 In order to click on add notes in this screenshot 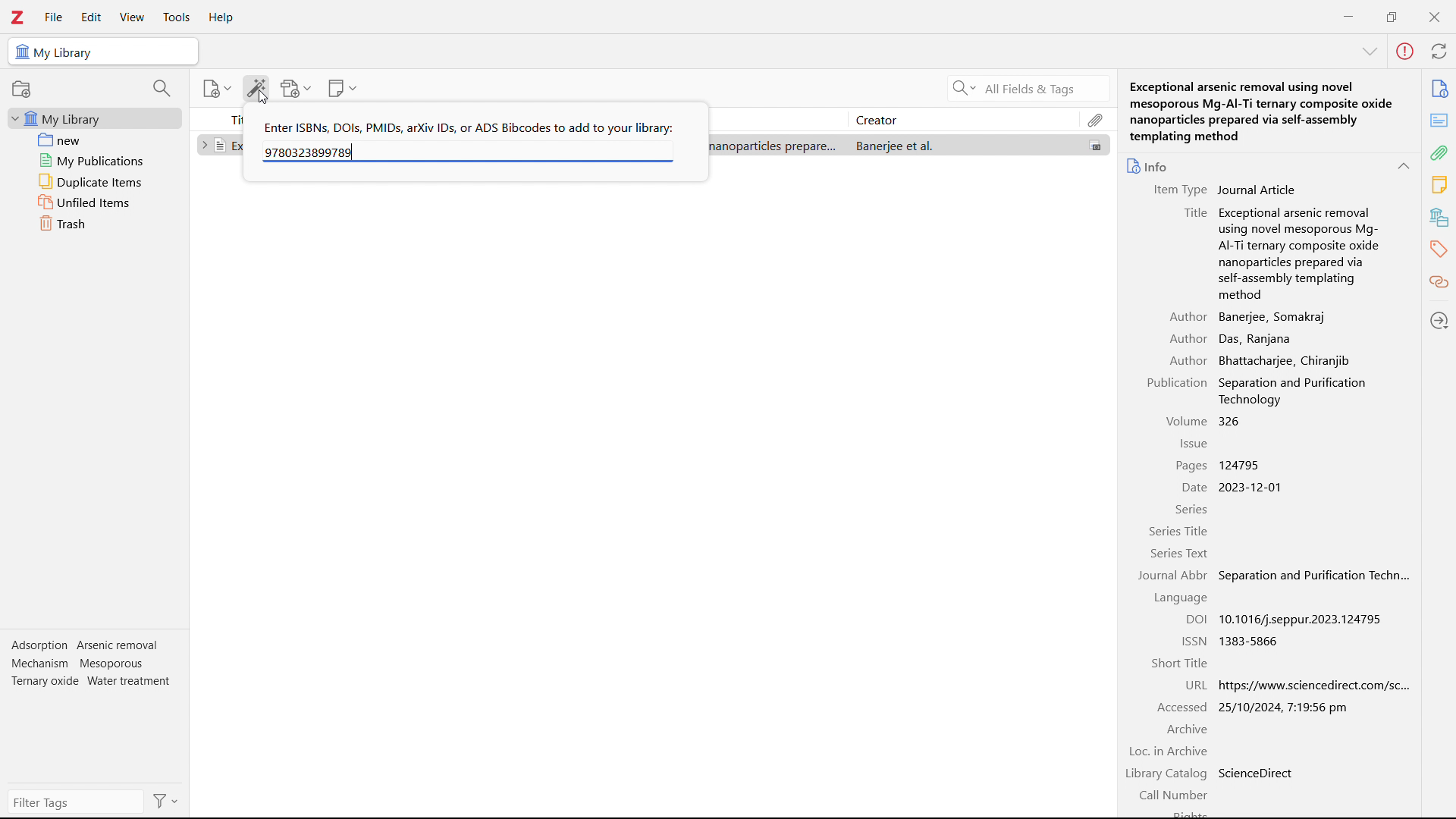, I will do `click(343, 89)`.